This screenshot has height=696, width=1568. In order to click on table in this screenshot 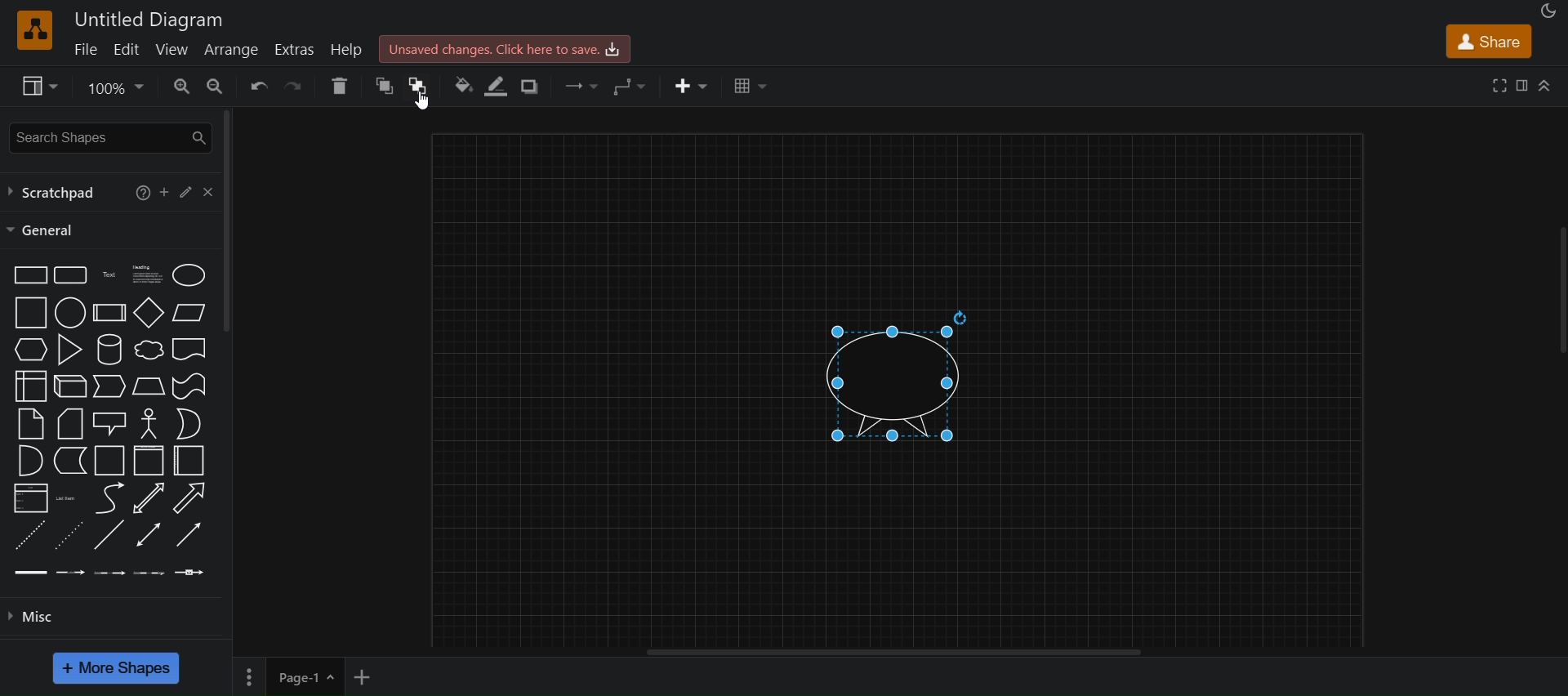, I will do `click(751, 86)`.